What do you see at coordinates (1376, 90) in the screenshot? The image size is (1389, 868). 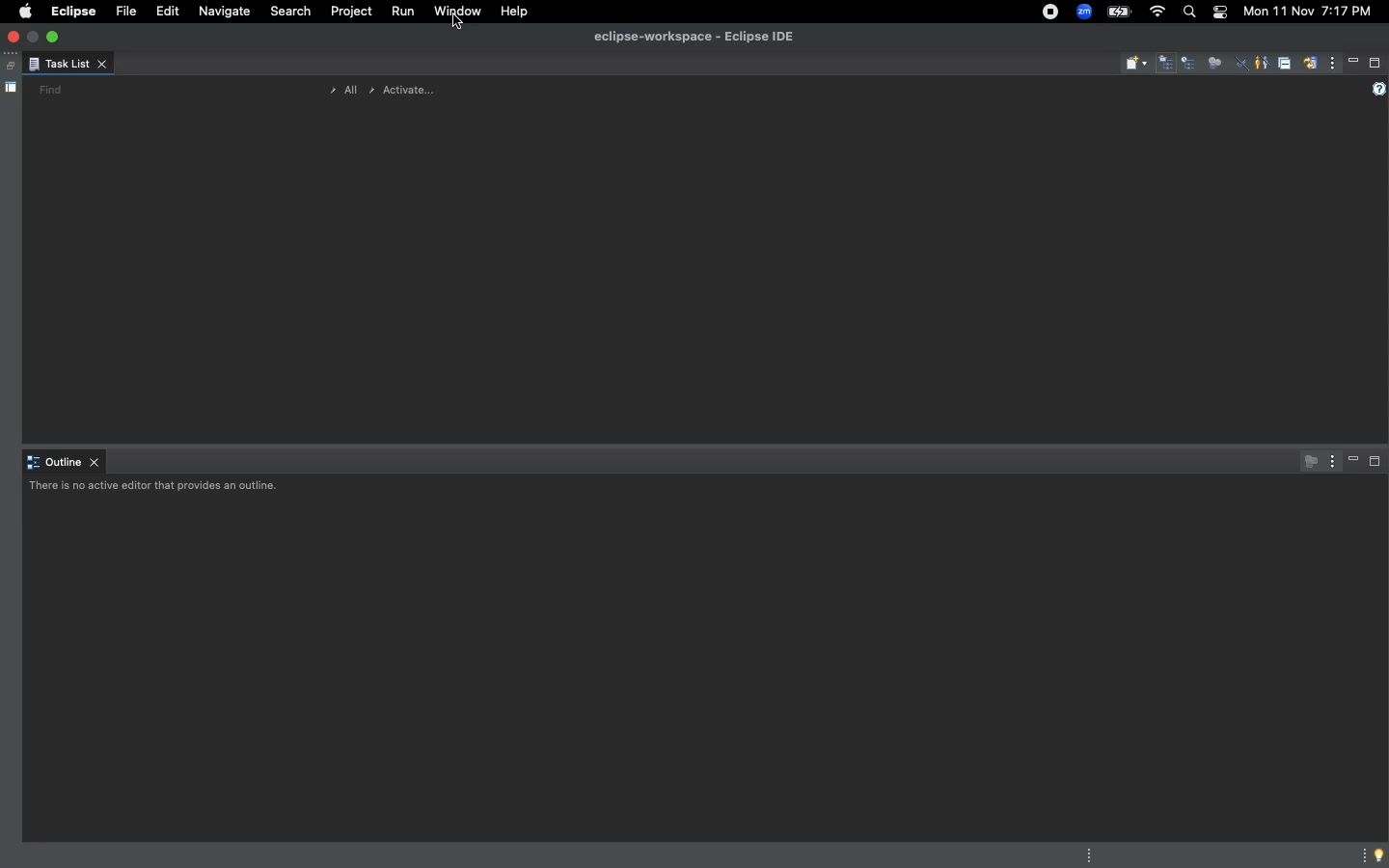 I see `Show tasks UI legend` at bounding box center [1376, 90].